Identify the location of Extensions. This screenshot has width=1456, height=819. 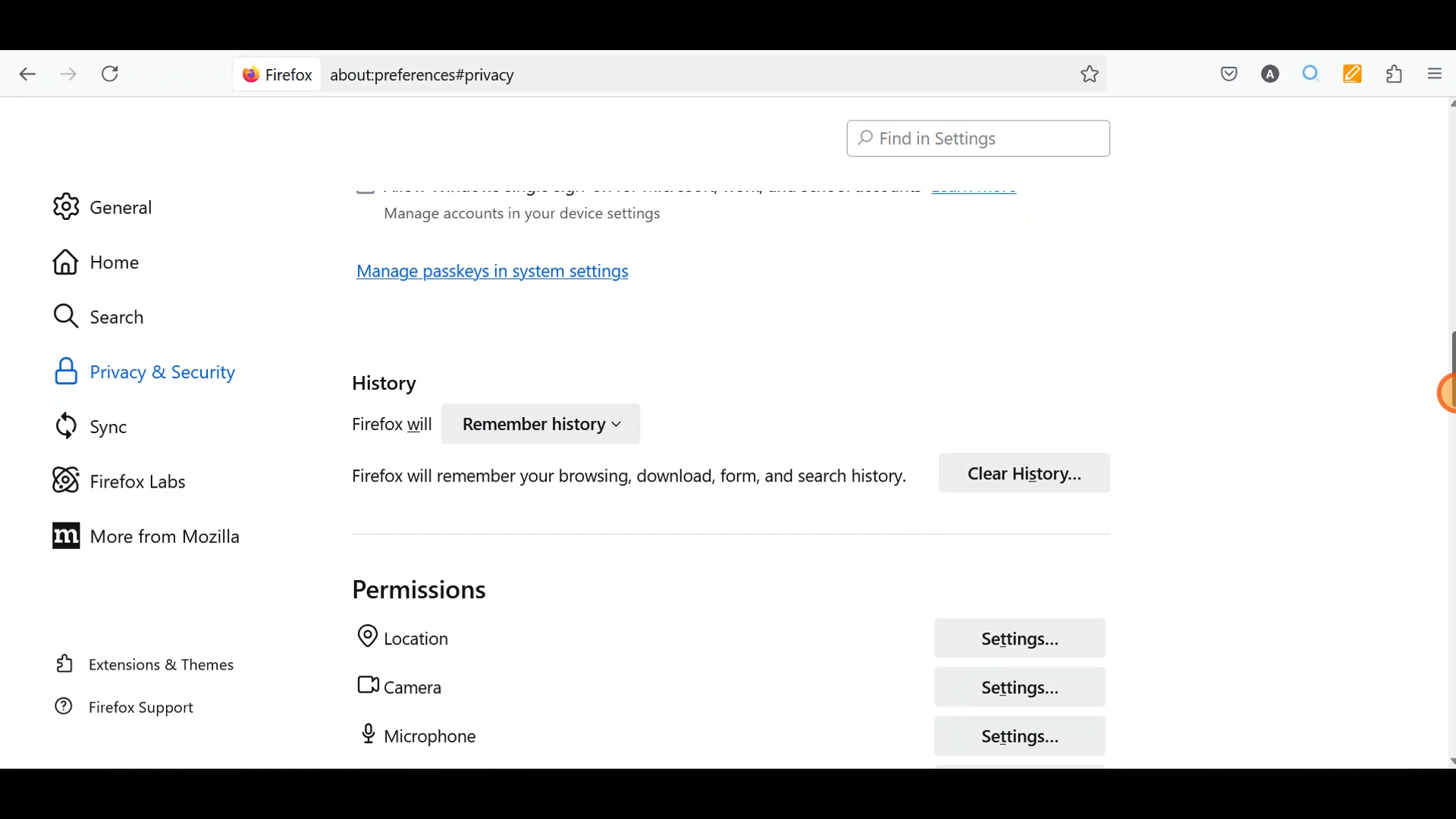
(1390, 74).